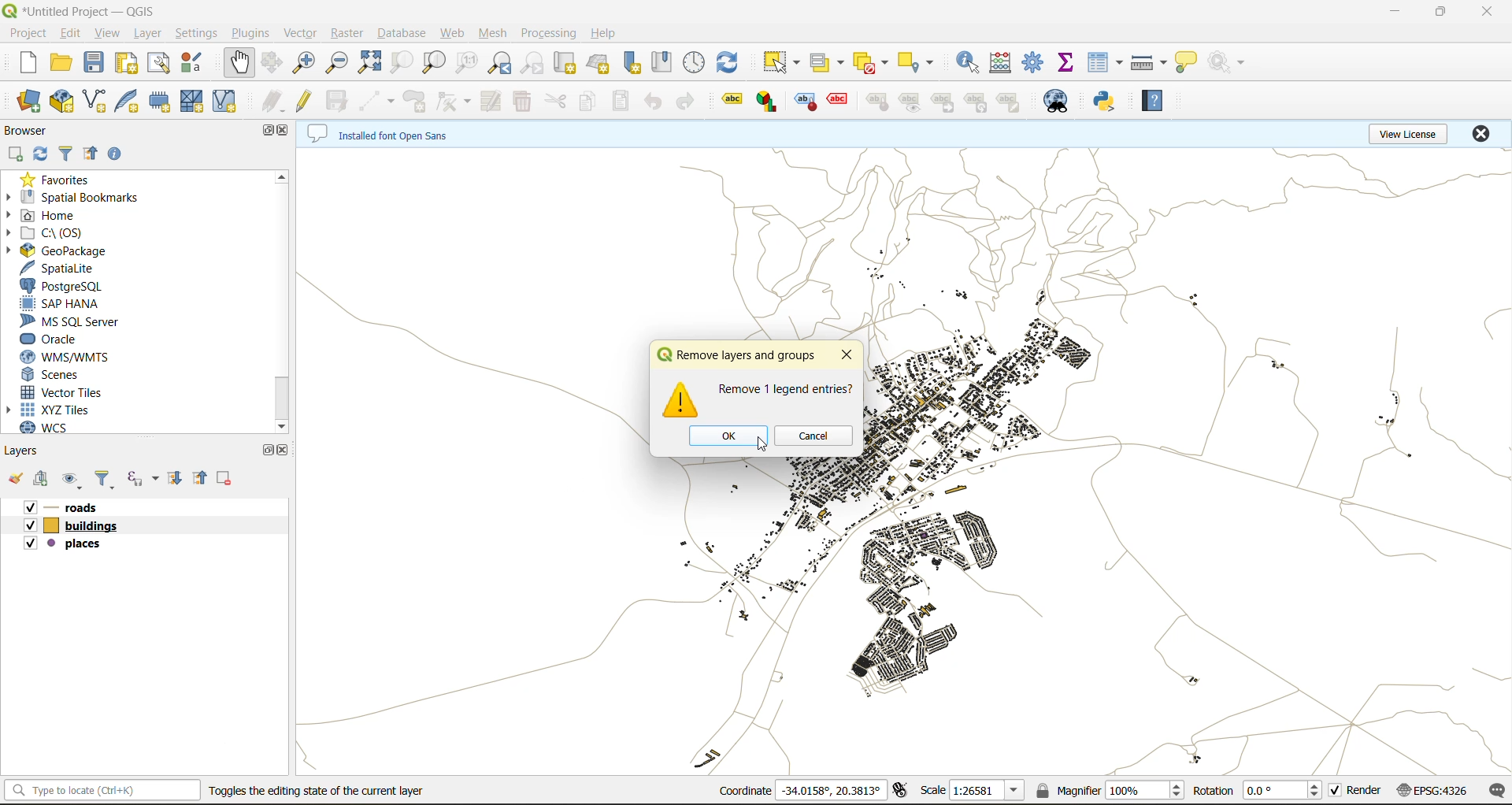  Describe the element at coordinates (105, 789) in the screenshot. I see `statusbar` at that location.